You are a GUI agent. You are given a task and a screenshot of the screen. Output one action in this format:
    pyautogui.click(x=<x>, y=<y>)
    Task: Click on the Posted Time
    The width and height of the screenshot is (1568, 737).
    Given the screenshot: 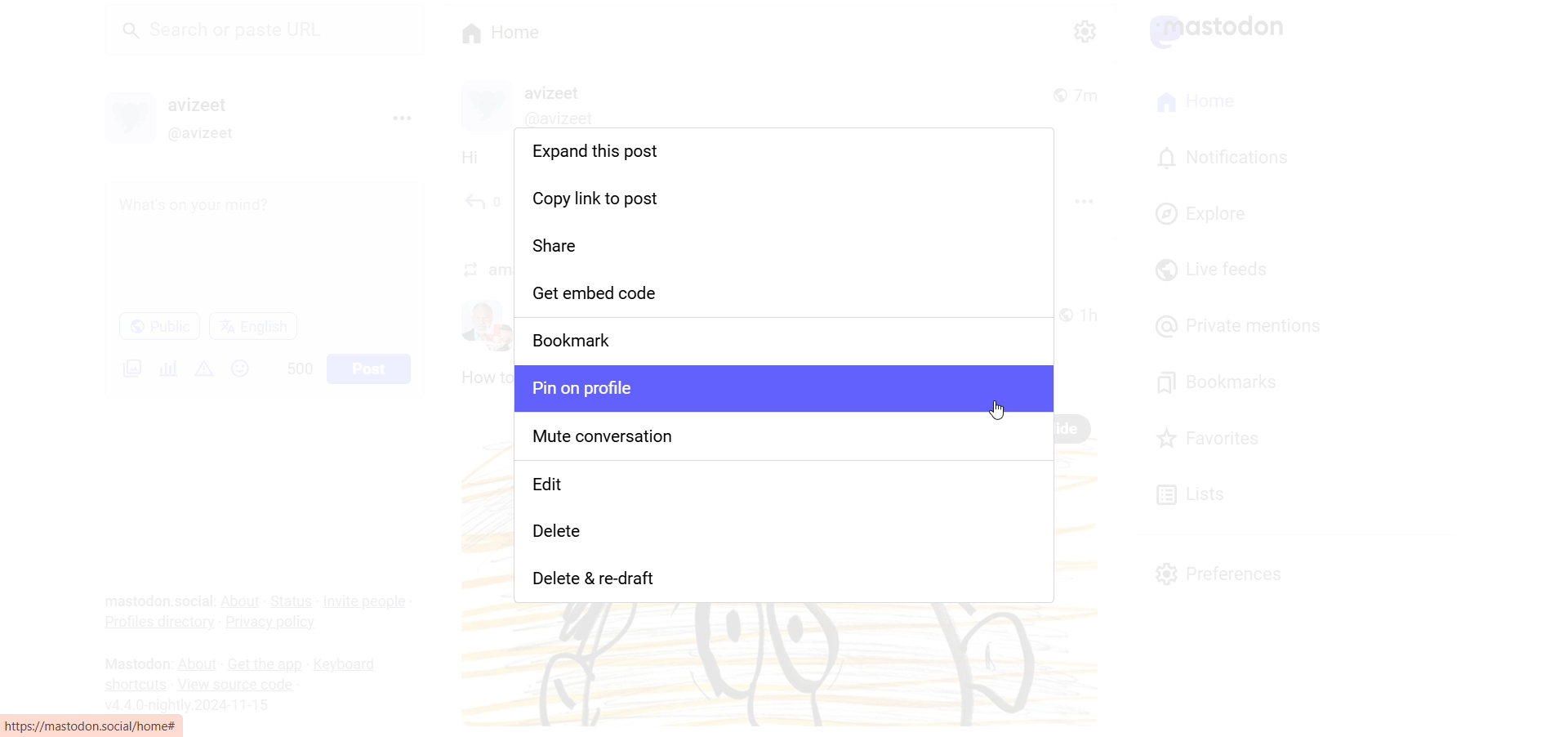 What is the action you would take?
    pyautogui.click(x=1082, y=92)
    